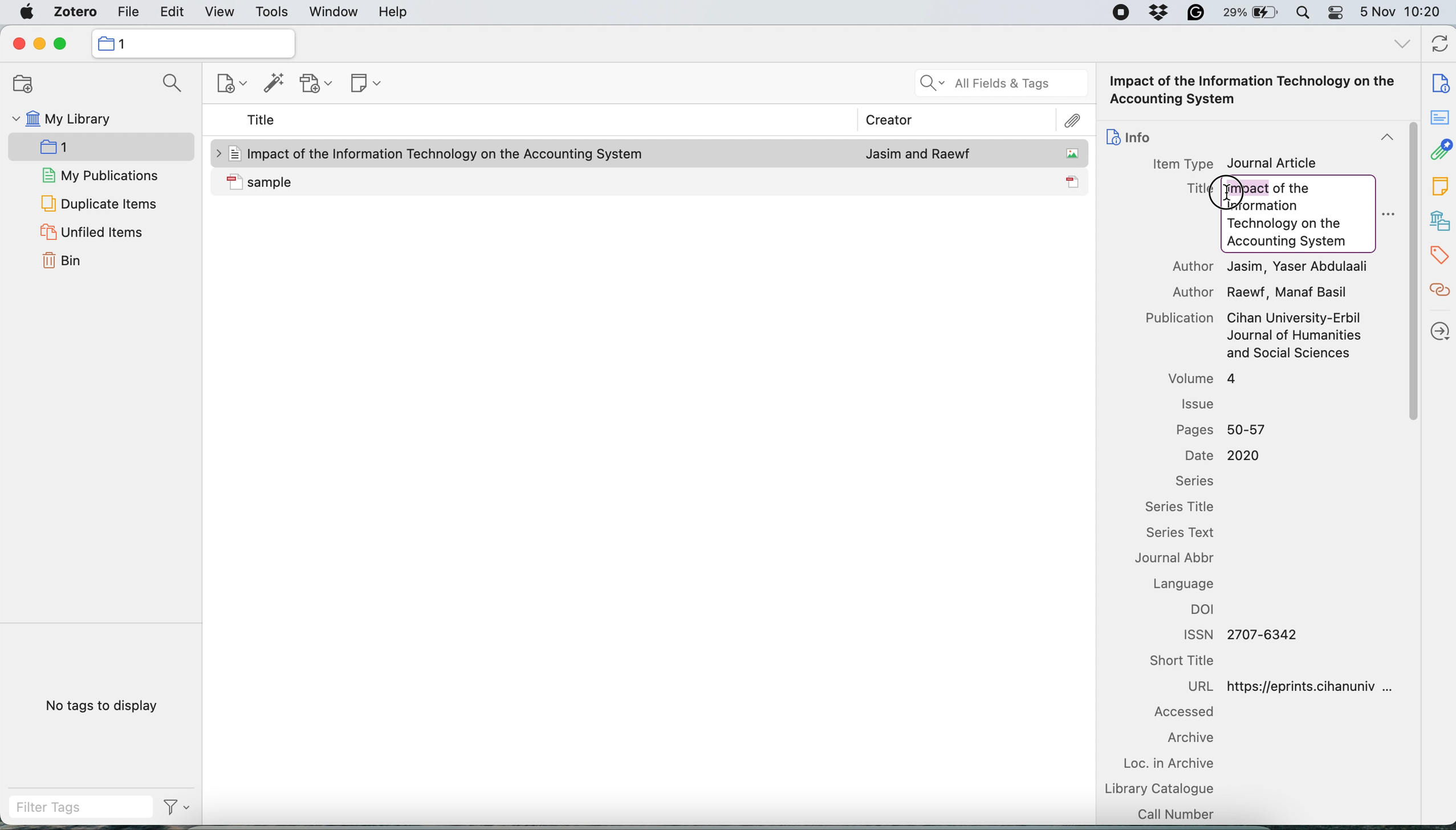 The height and width of the screenshot is (830, 1456). Describe the element at coordinates (233, 153) in the screenshot. I see `icon` at that location.